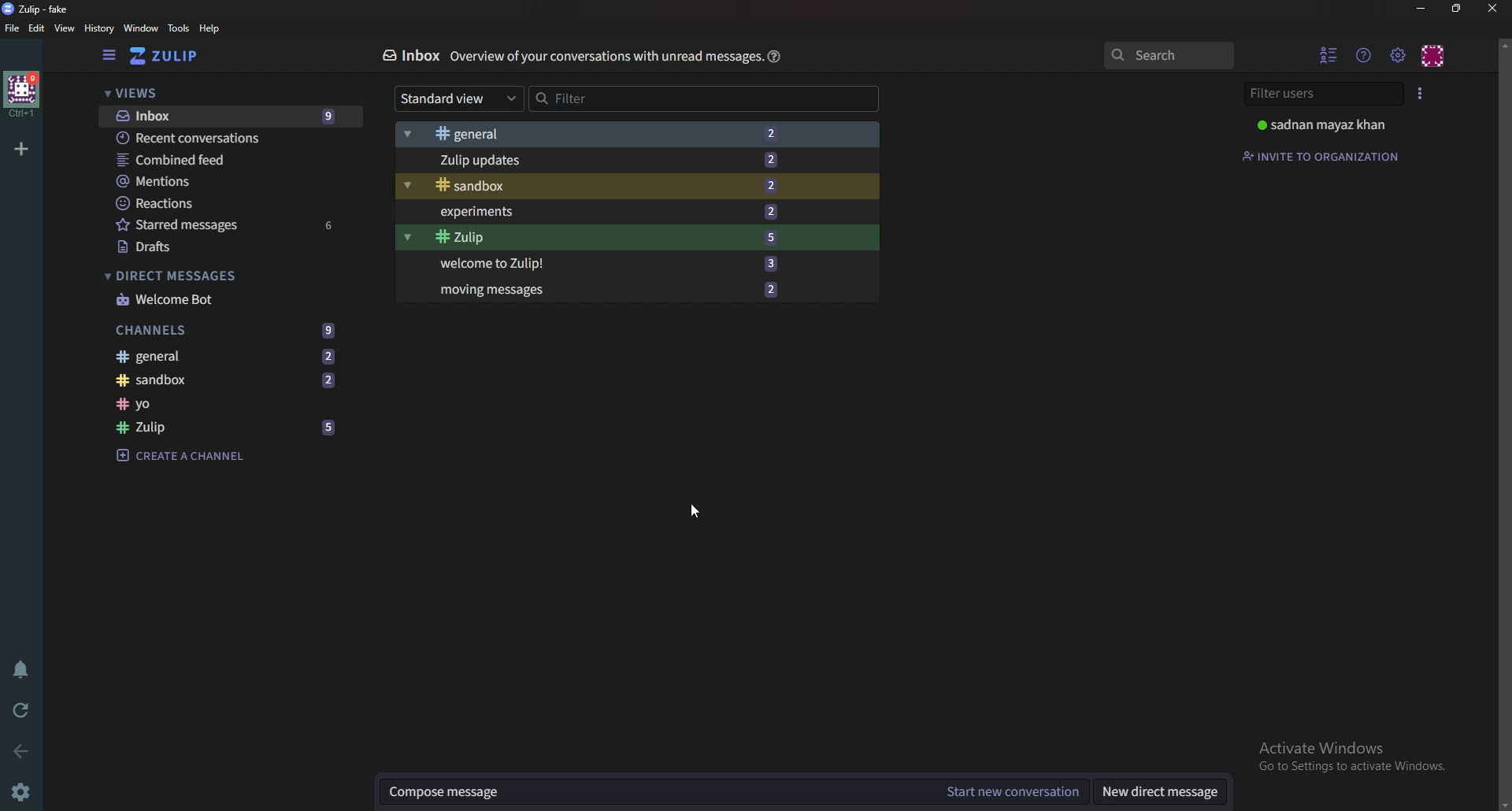 This screenshot has height=811, width=1512. What do you see at coordinates (1013, 791) in the screenshot?
I see `Start new conversation` at bounding box center [1013, 791].